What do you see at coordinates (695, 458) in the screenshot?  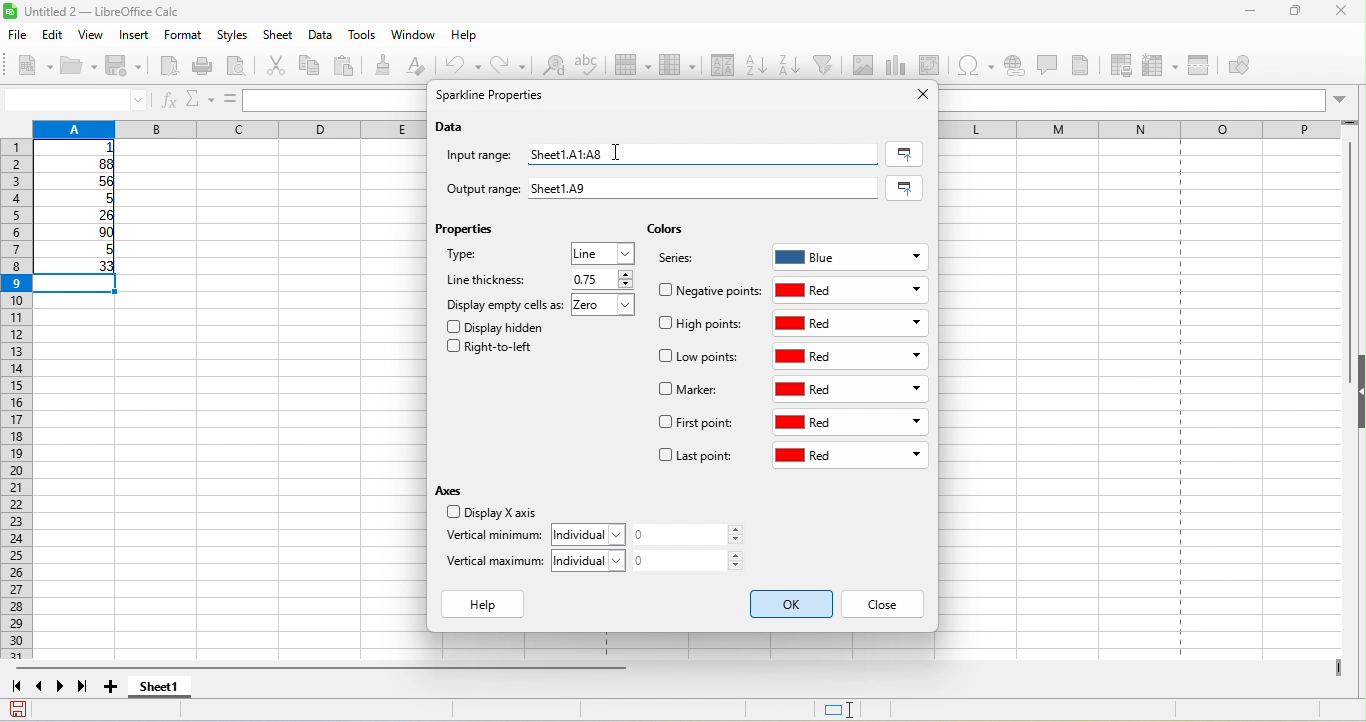 I see `last point` at bounding box center [695, 458].